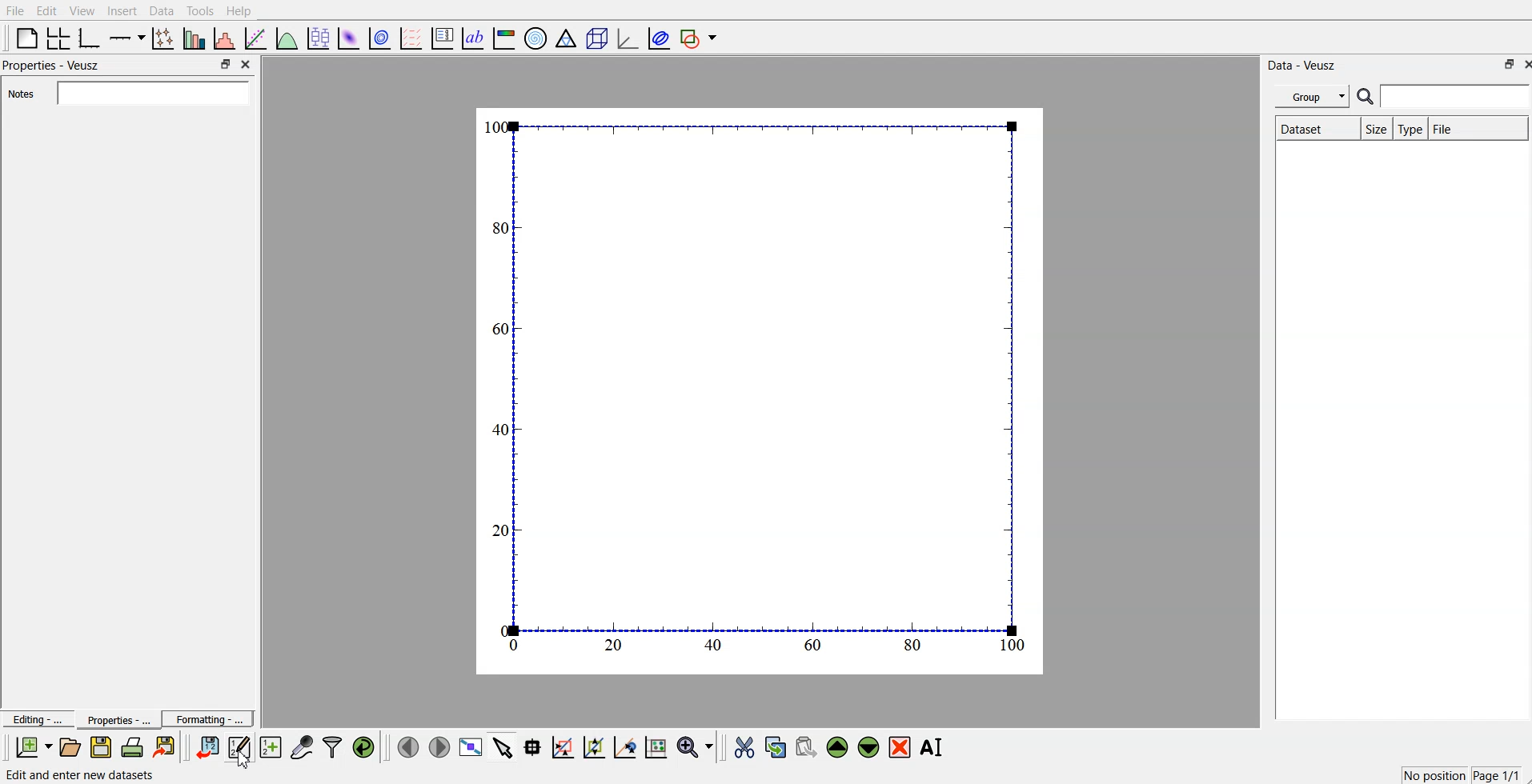  Describe the element at coordinates (473, 38) in the screenshot. I see `text label` at that location.